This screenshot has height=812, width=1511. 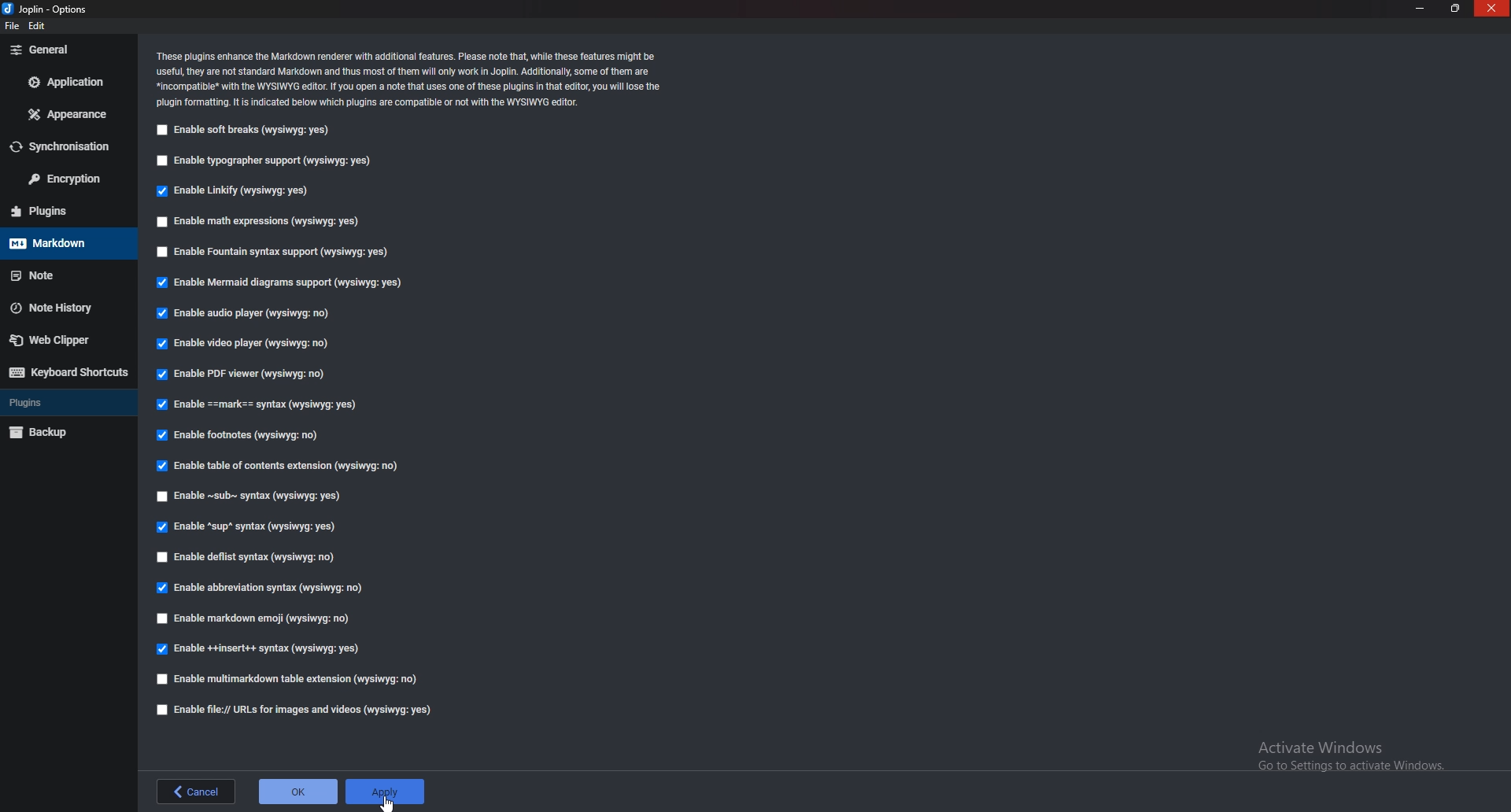 What do you see at coordinates (279, 466) in the screenshot?
I see `Enable table of contents` at bounding box center [279, 466].